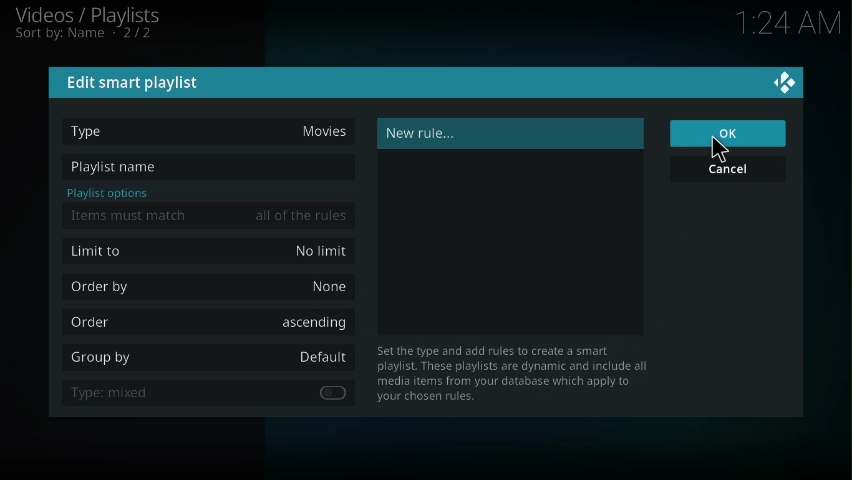 The image size is (852, 480). What do you see at coordinates (726, 170) in the screenshot?
I see `cancel` at bounding box center [726, 170].